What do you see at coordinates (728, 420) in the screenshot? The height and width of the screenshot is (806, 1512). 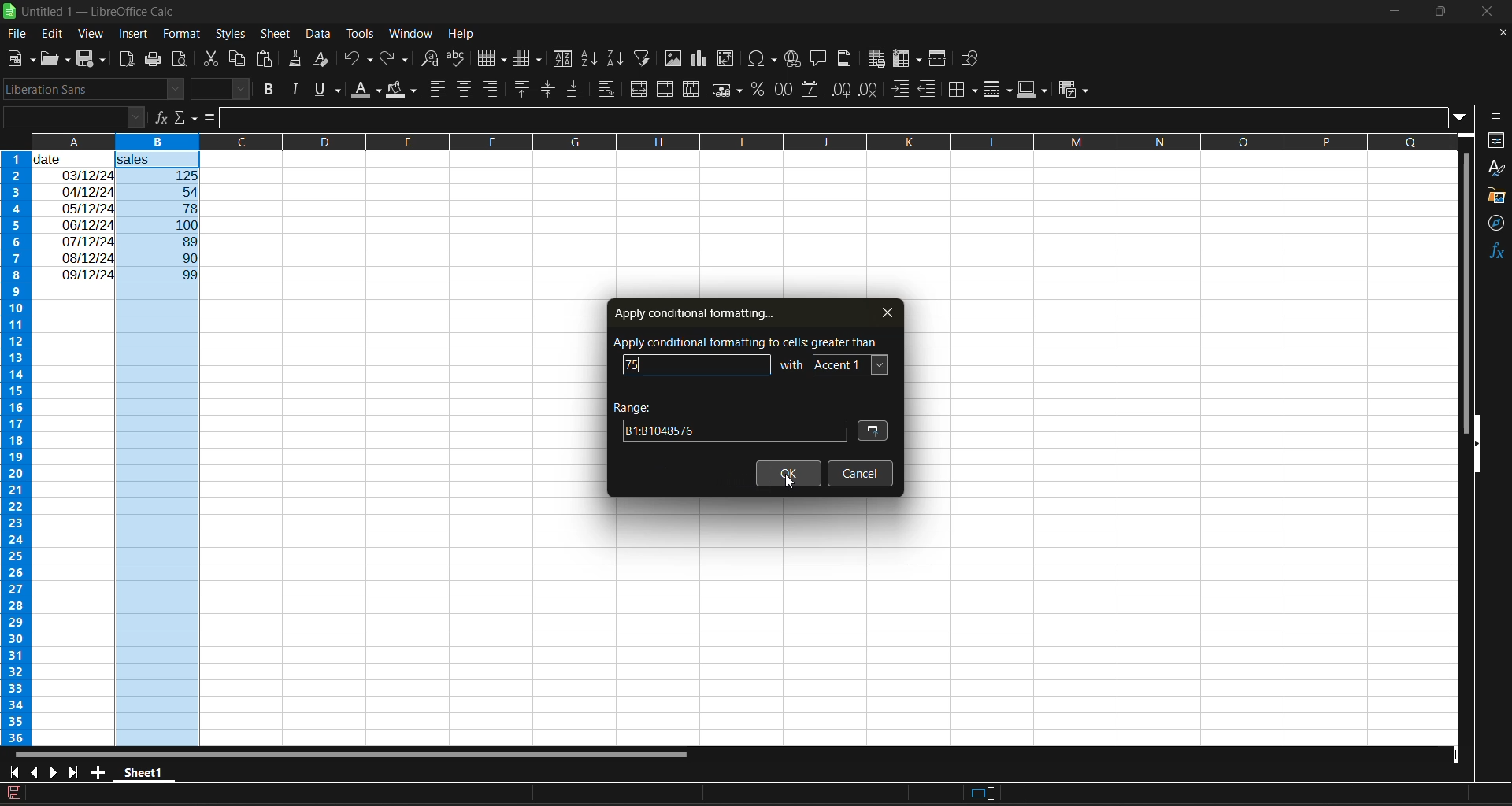 I see `range` at bounding box center [728, 420].